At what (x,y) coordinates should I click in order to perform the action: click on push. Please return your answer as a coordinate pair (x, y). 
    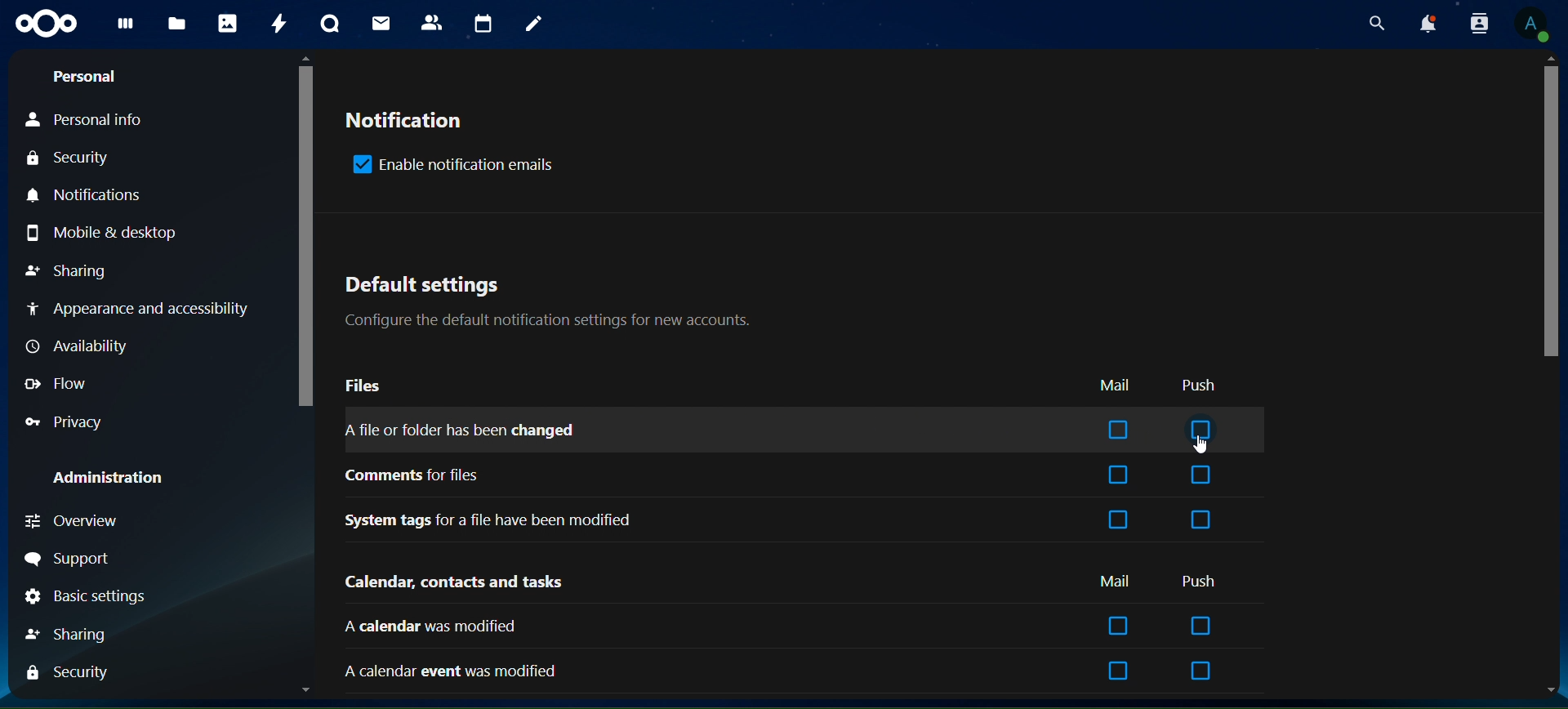
    Looking at the image, I should click on (1205, 386).